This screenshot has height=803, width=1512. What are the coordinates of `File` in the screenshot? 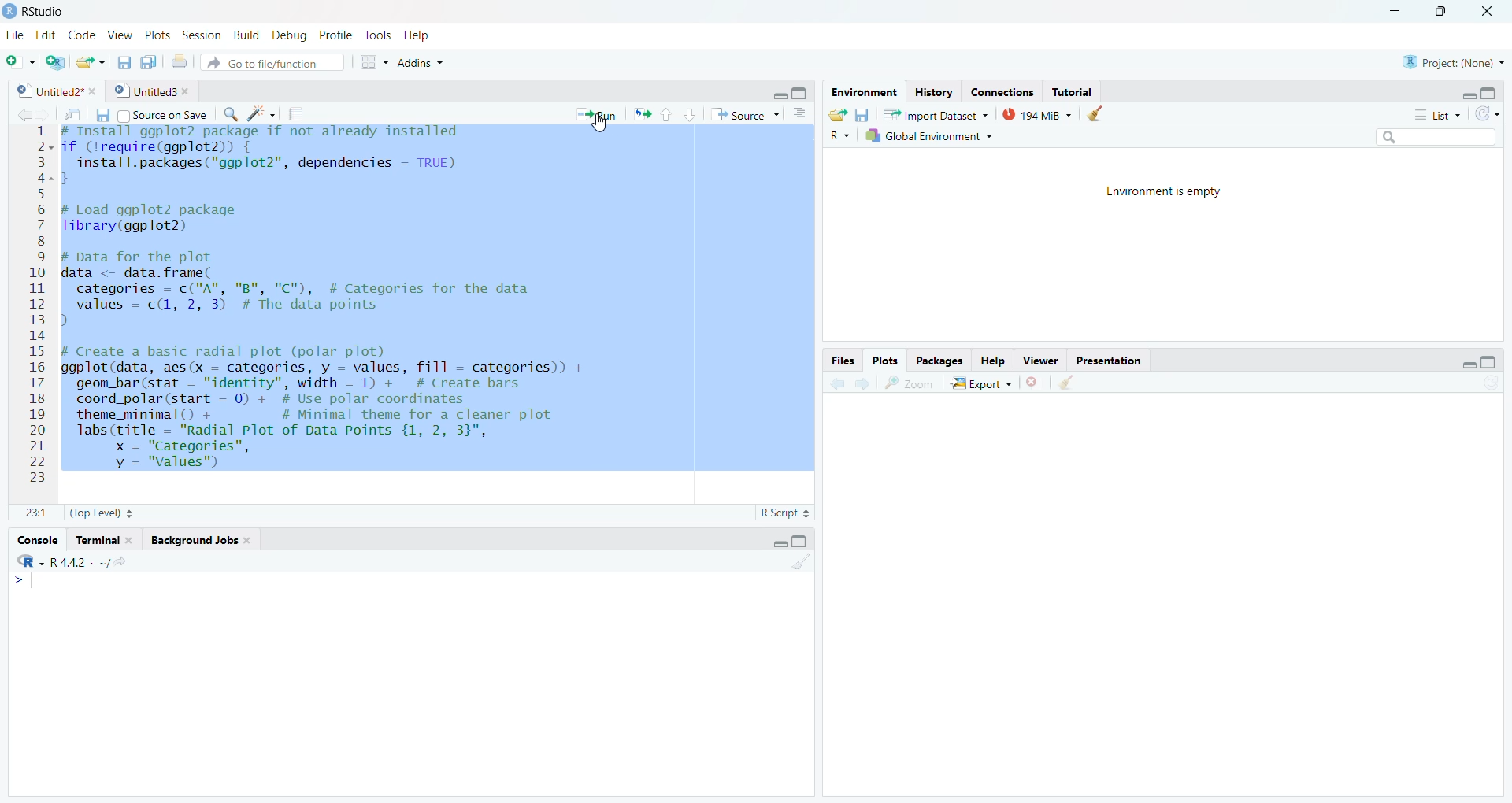 It's located at (16, 36).